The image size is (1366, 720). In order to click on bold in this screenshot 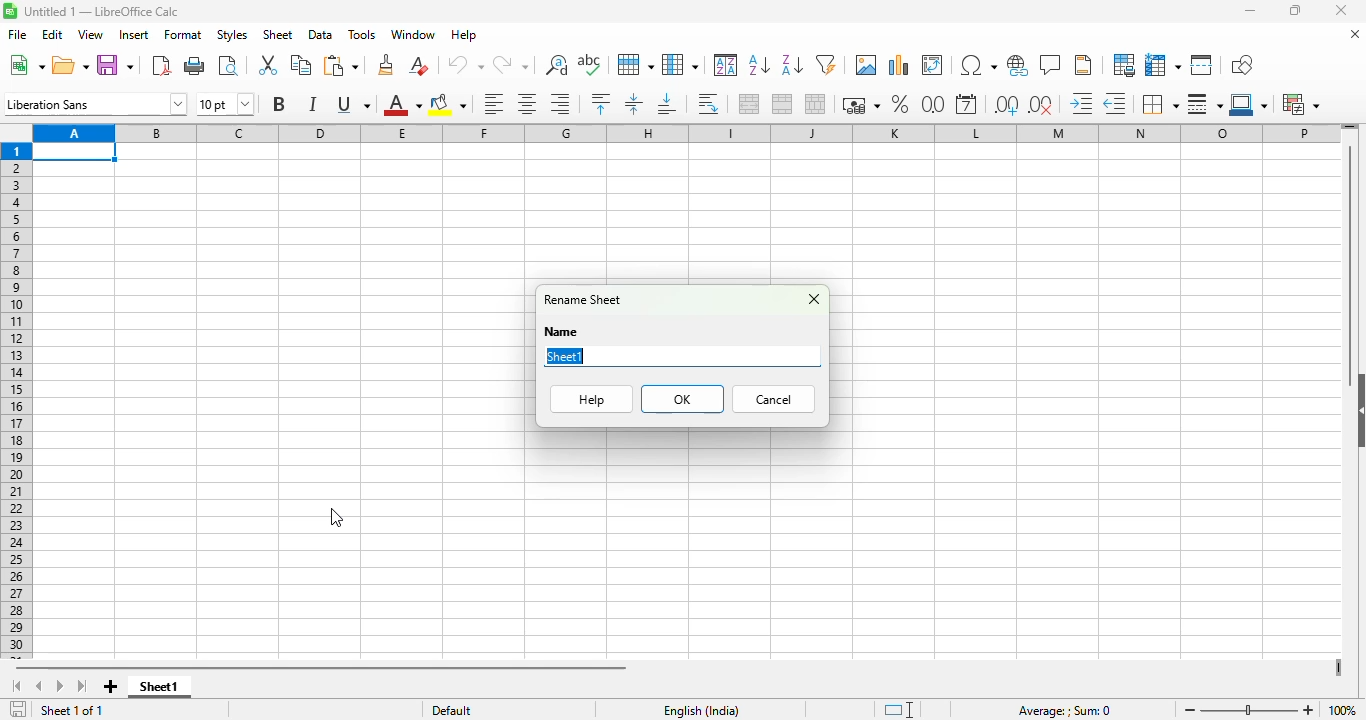, I will do `click(279, 103)`.